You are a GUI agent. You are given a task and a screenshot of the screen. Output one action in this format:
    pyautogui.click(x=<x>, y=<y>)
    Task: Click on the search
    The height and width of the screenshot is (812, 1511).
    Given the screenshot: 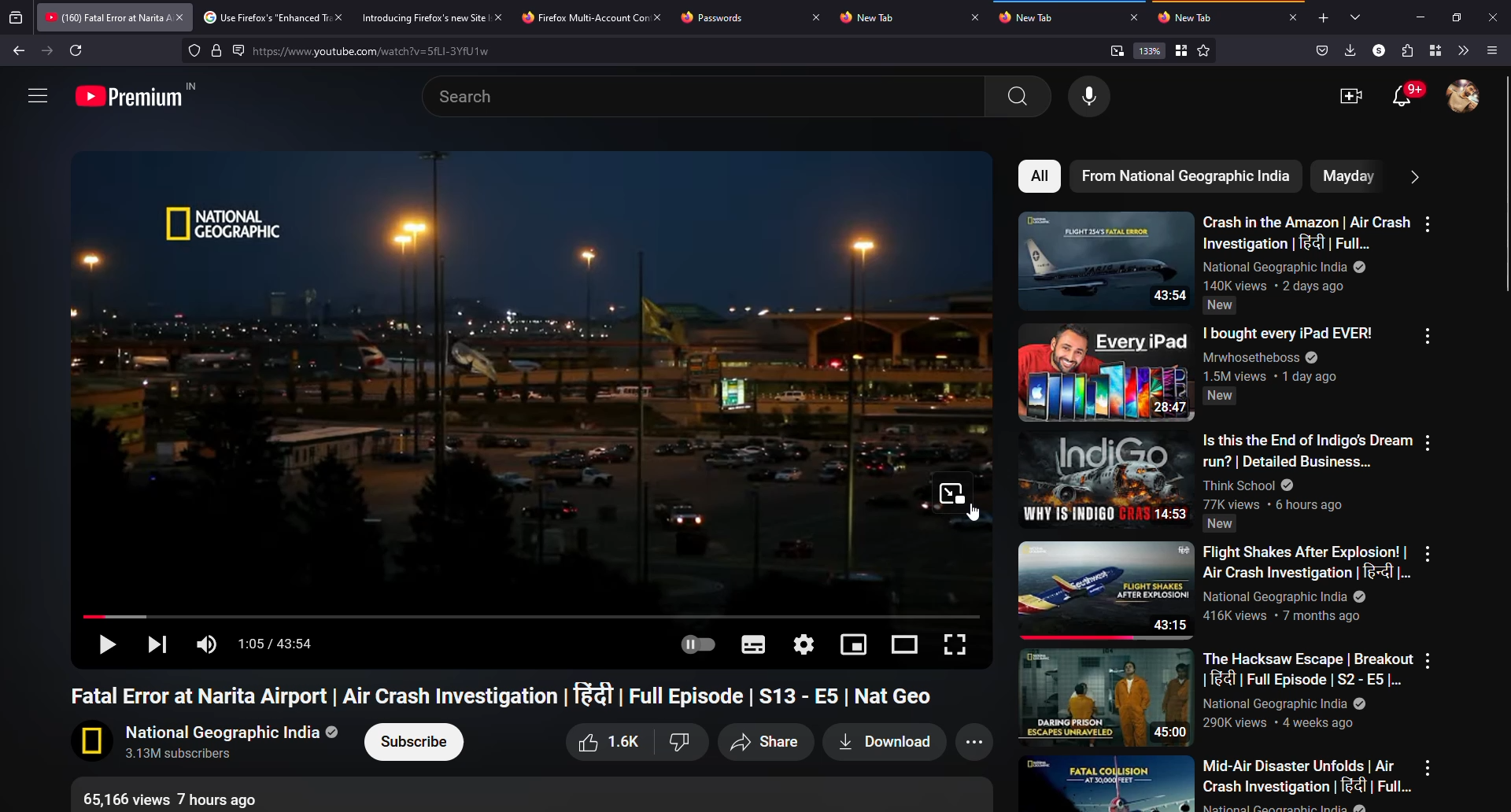 What is the action you would take?
    pyautogui.click(x=1018, y=96)
    